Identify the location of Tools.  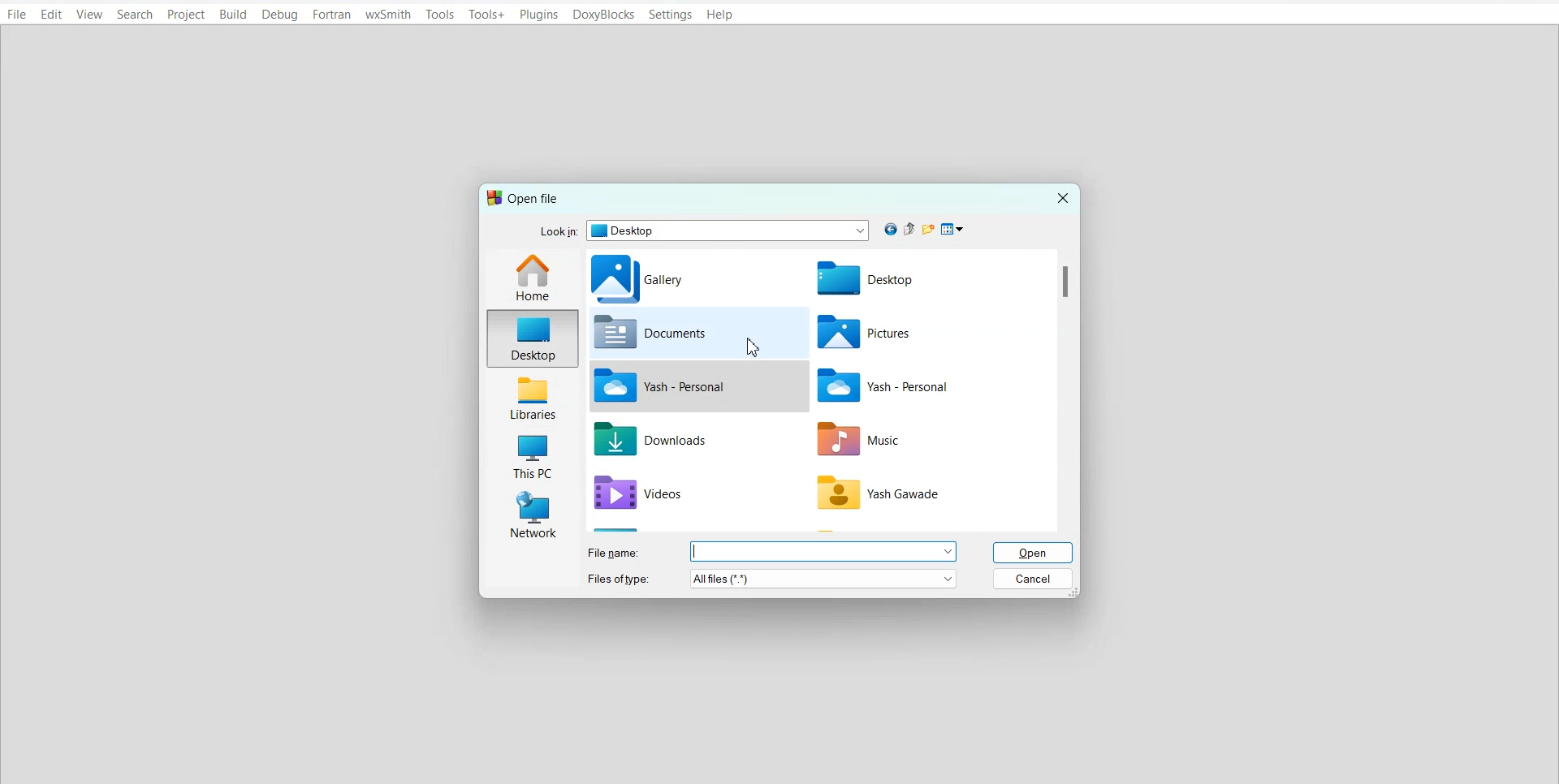
(440, 14).